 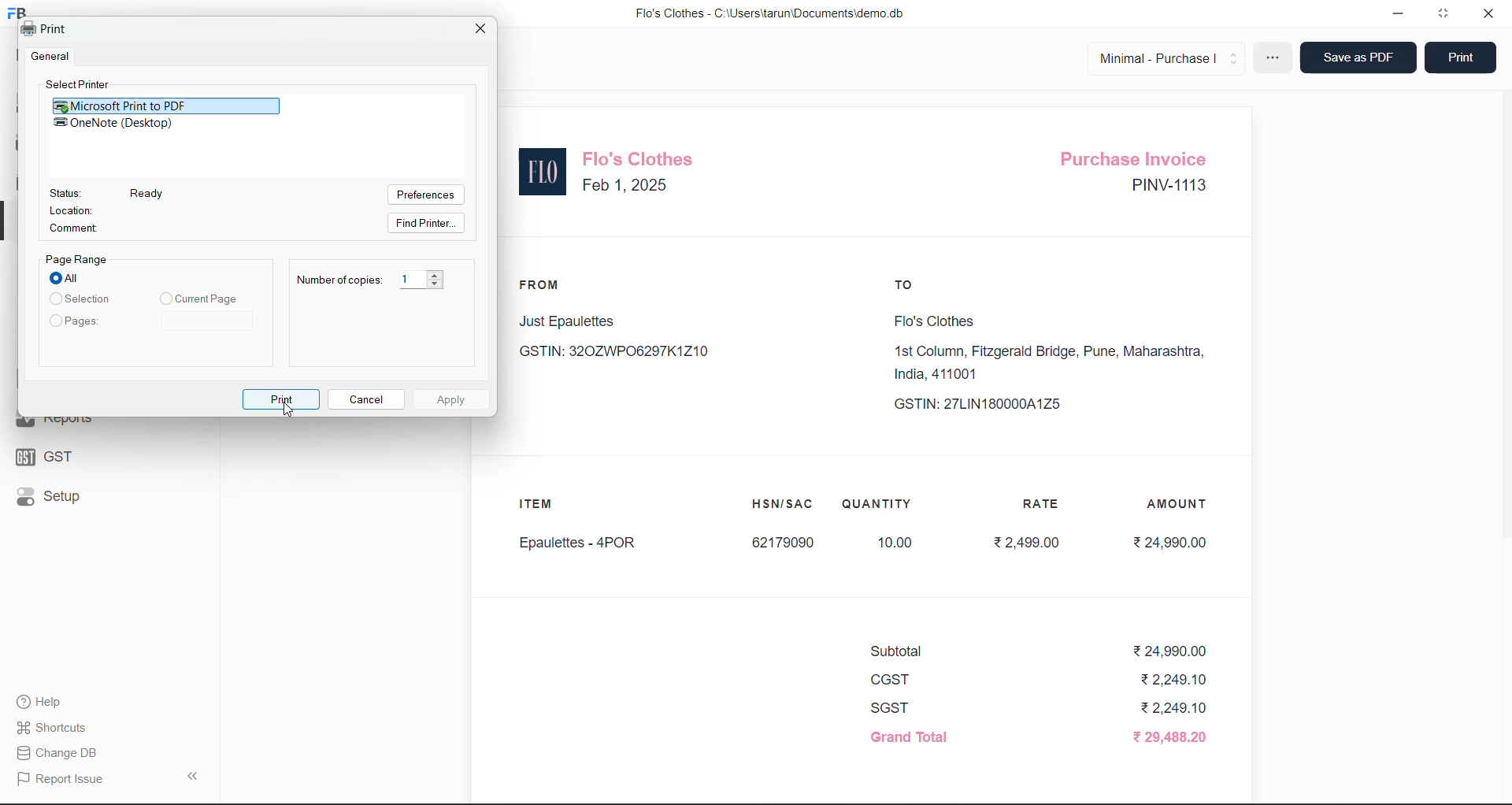 What do you see at coordinates (1141, 174) in the screenshot?
I see `Purchase Invoice PINV-1113` at bounding box center [1141, 174].